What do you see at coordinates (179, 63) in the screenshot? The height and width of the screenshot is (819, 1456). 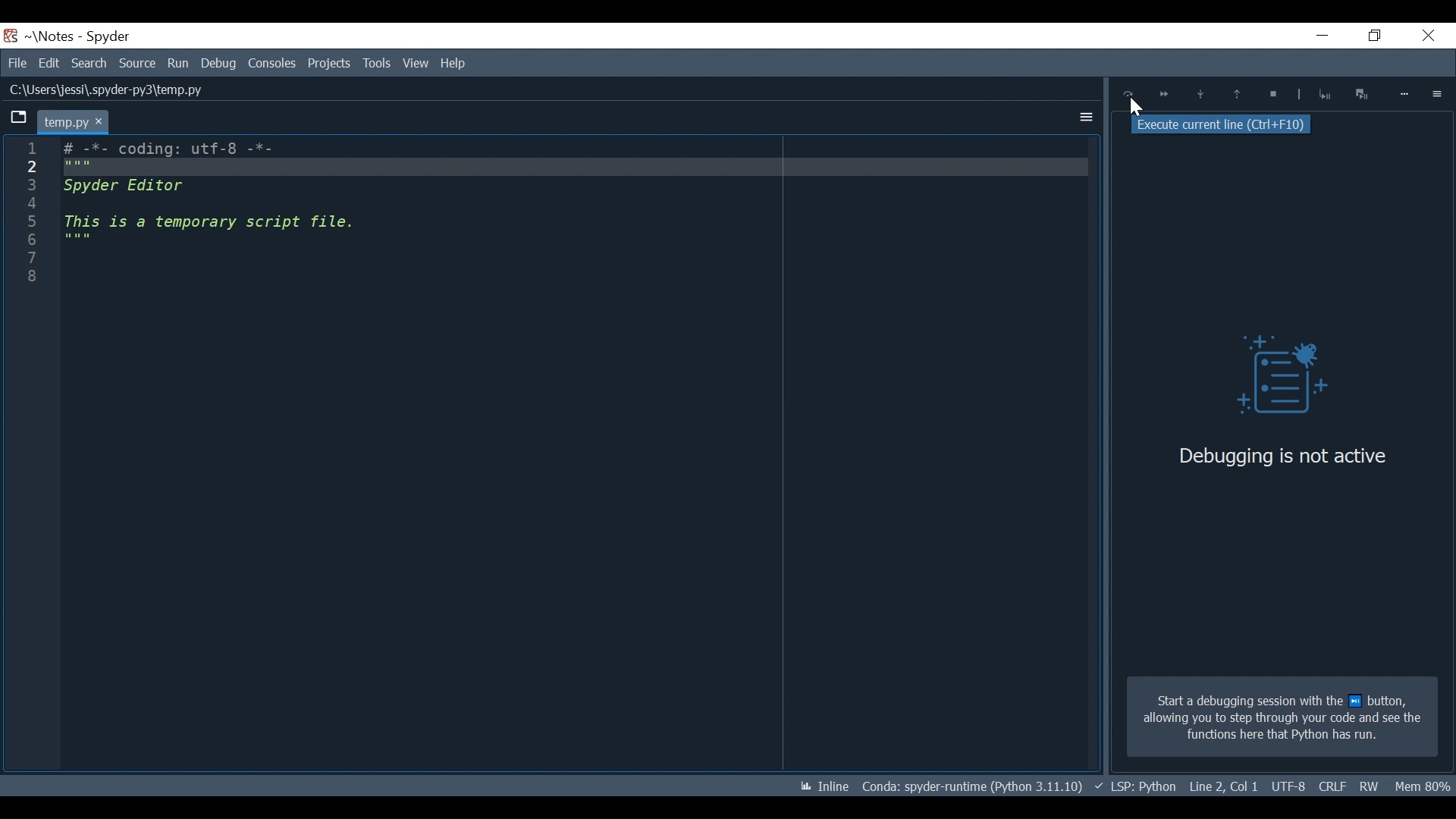 I see `Run` at bounding box center [179, 63].